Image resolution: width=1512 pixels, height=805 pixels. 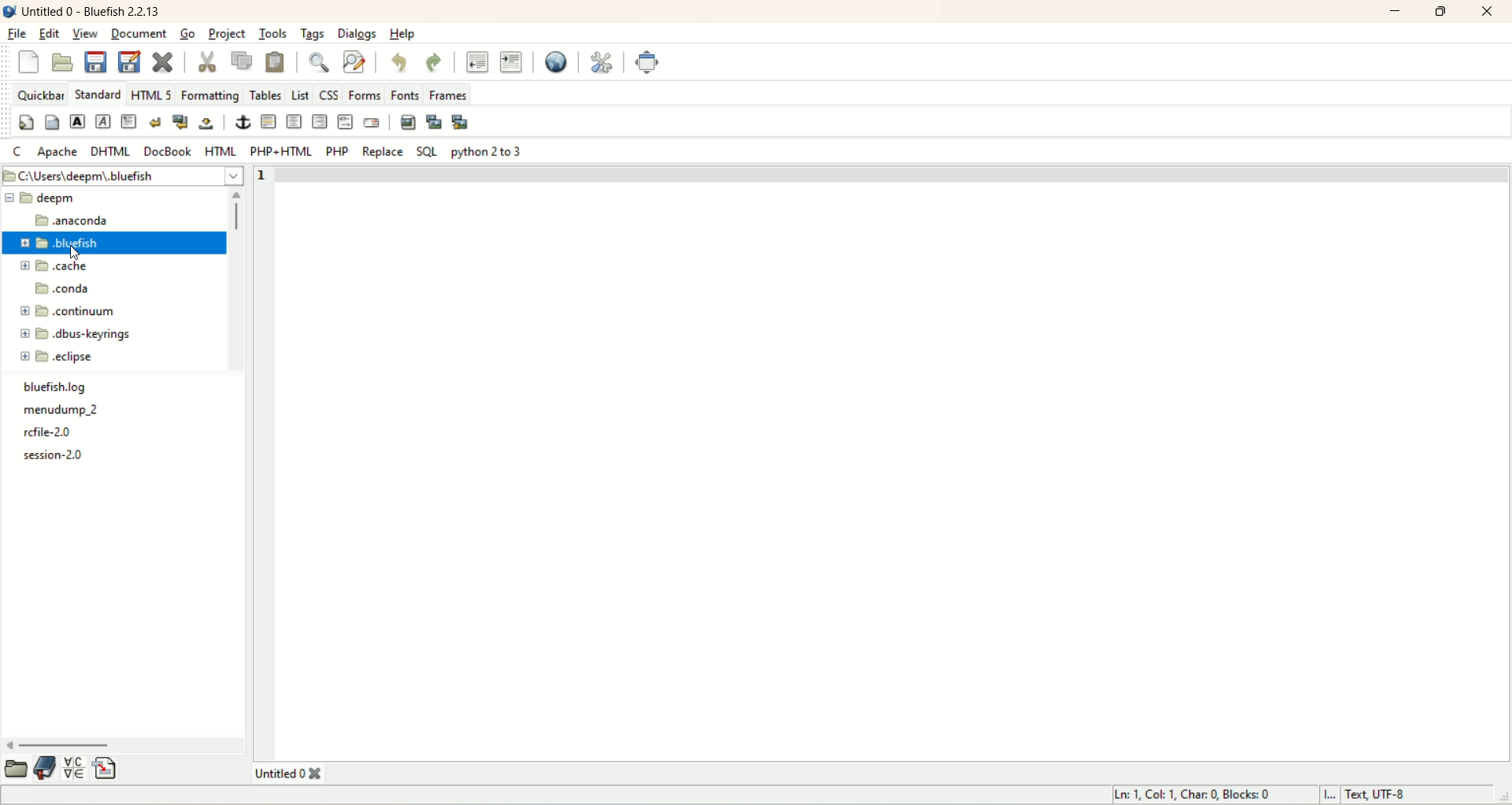 I want to click on open file, so click(x=64, y=62).